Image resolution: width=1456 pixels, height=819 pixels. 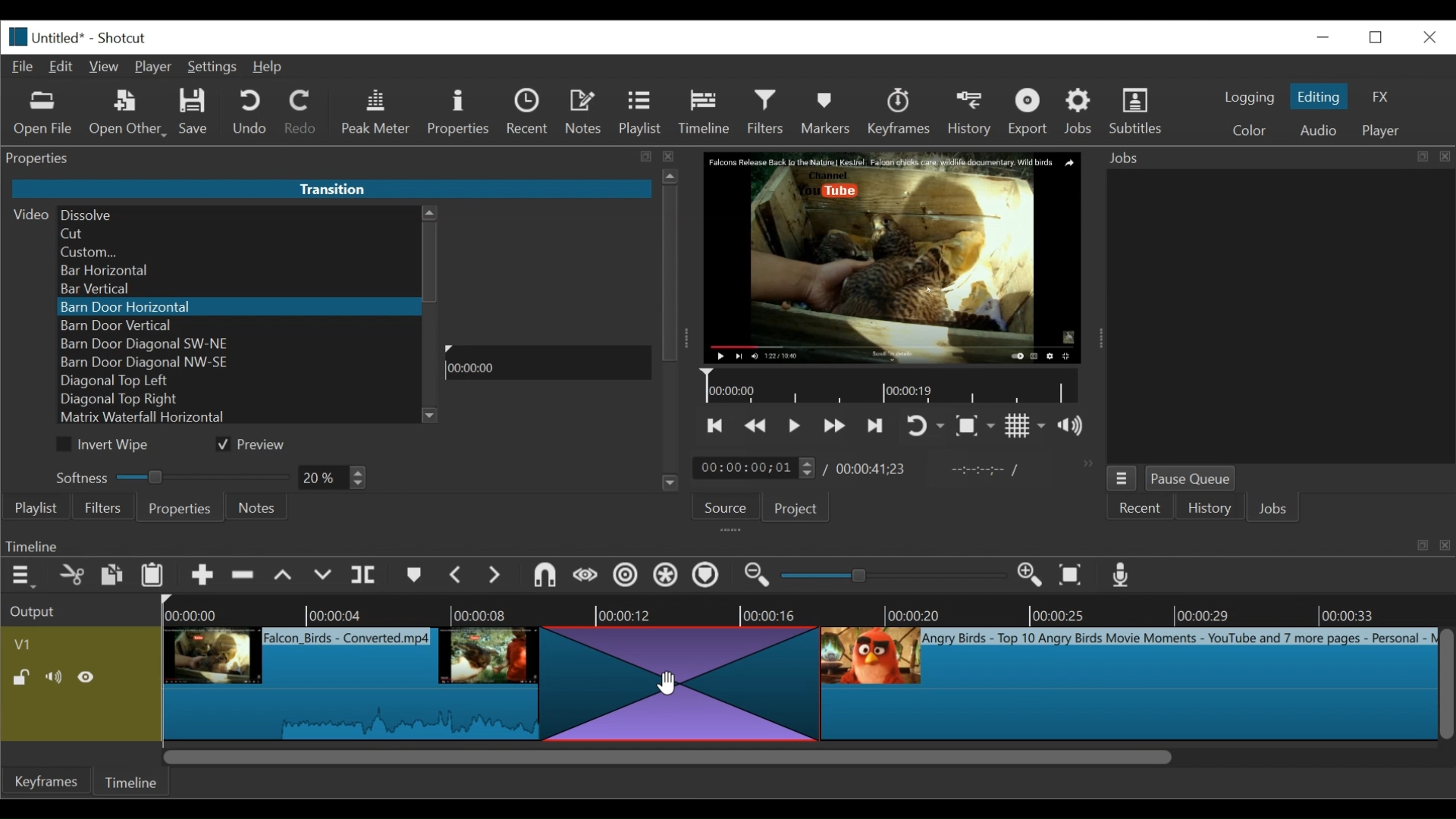 I want to click on Clip, so click(x=1128, y=684).